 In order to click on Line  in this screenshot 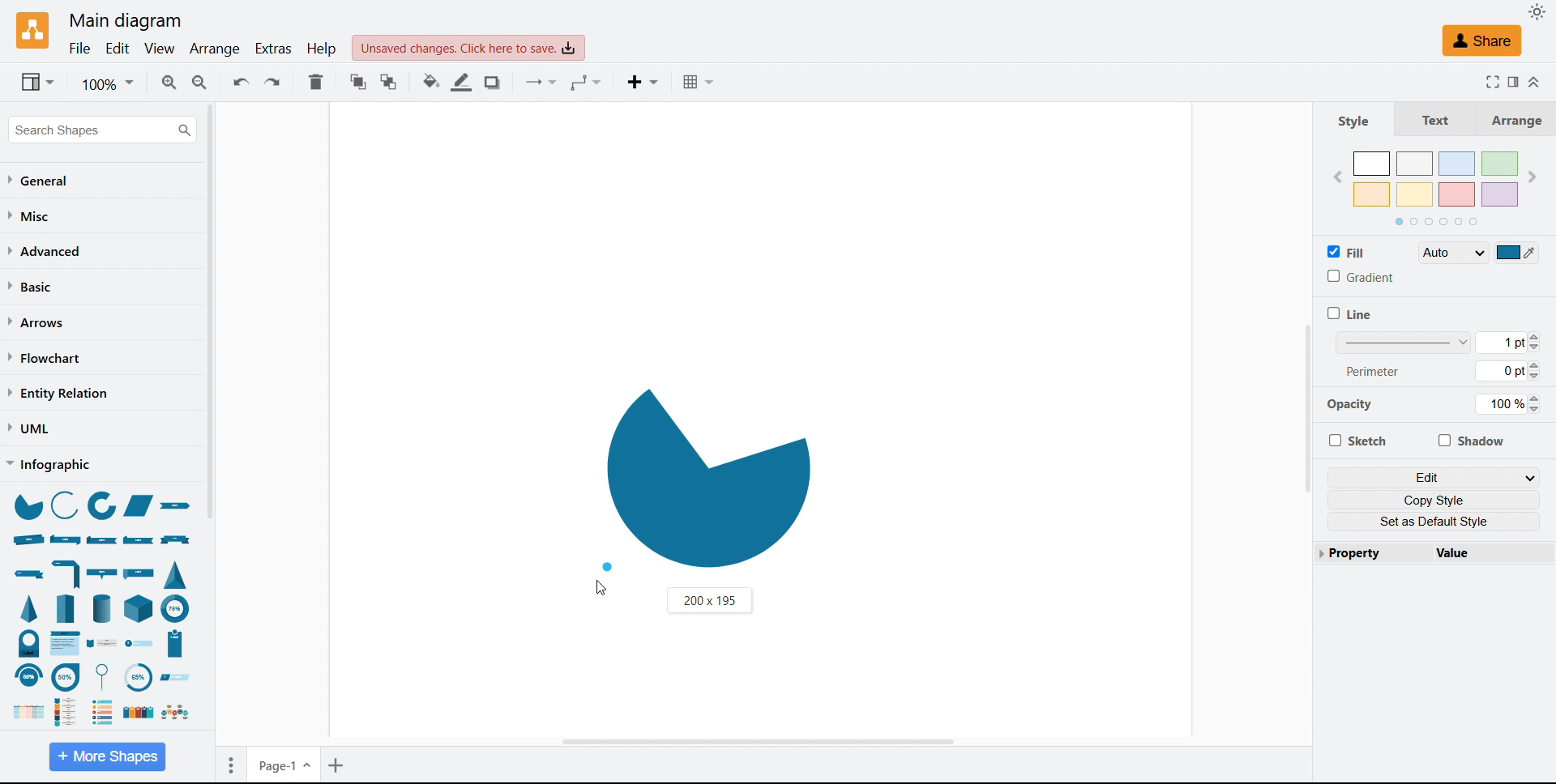, I will do `click(1349, 313)`.